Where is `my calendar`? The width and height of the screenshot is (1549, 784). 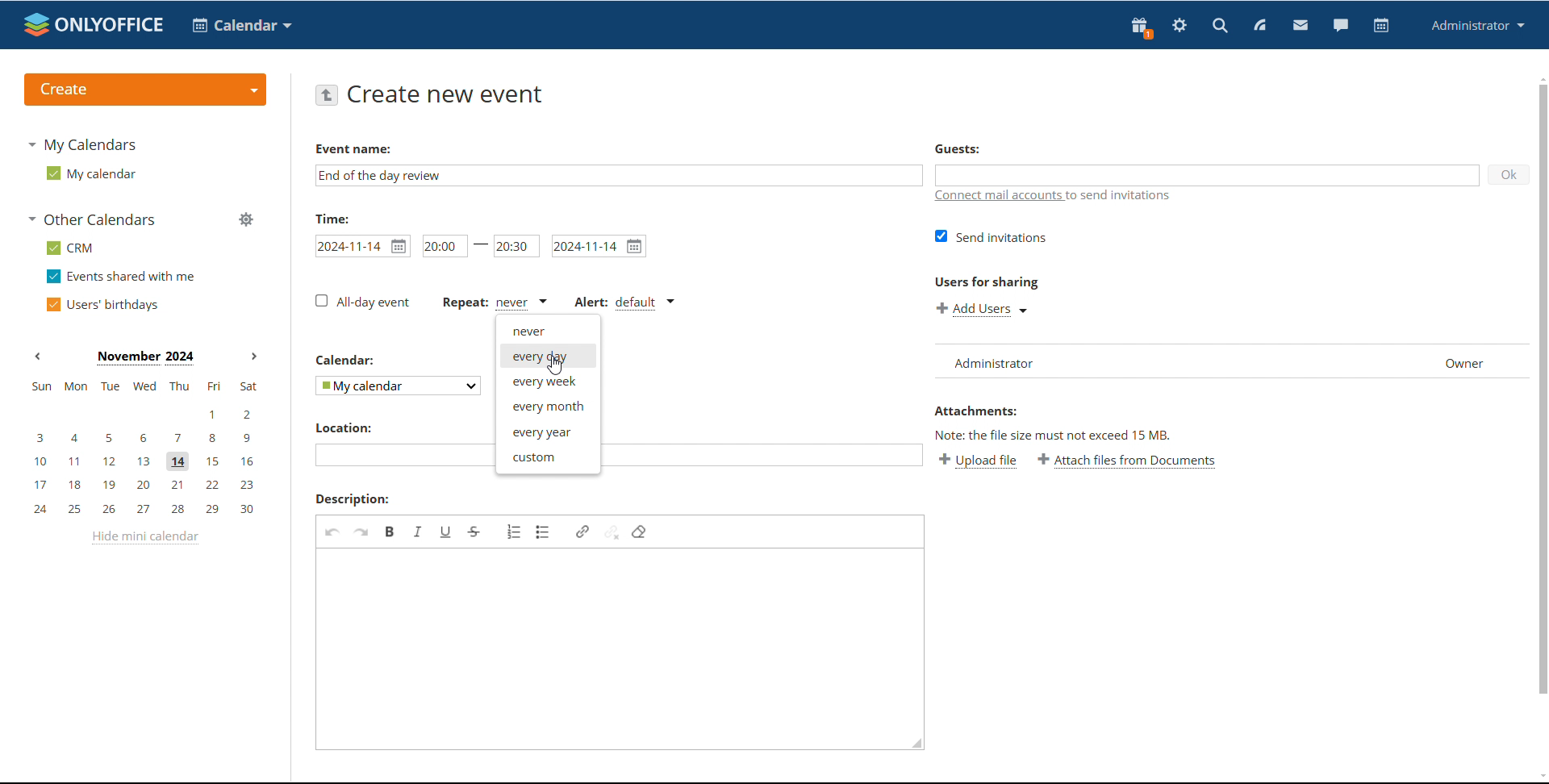 my calendar is located at coordinates (90, 173).